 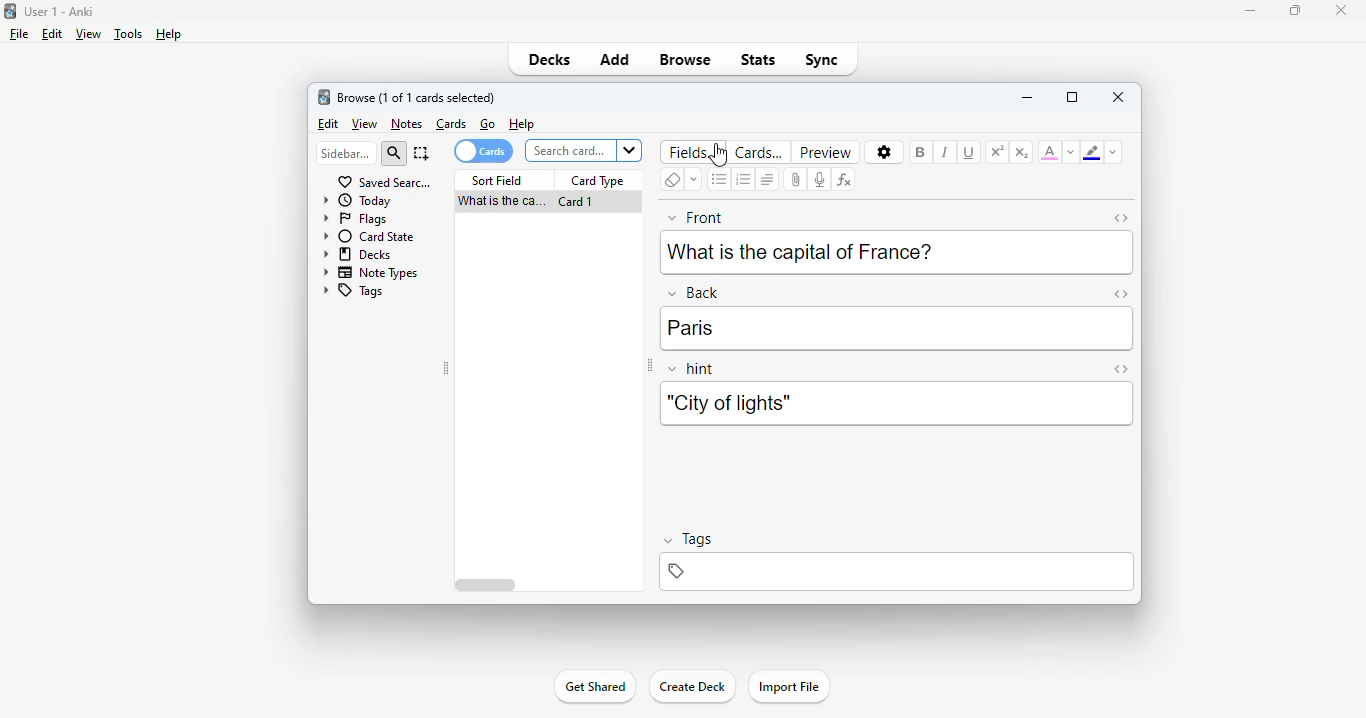 What do you see at coordinates (718, 156) in the screenshot?
I see `cursor` at bounding box center [718, 156].